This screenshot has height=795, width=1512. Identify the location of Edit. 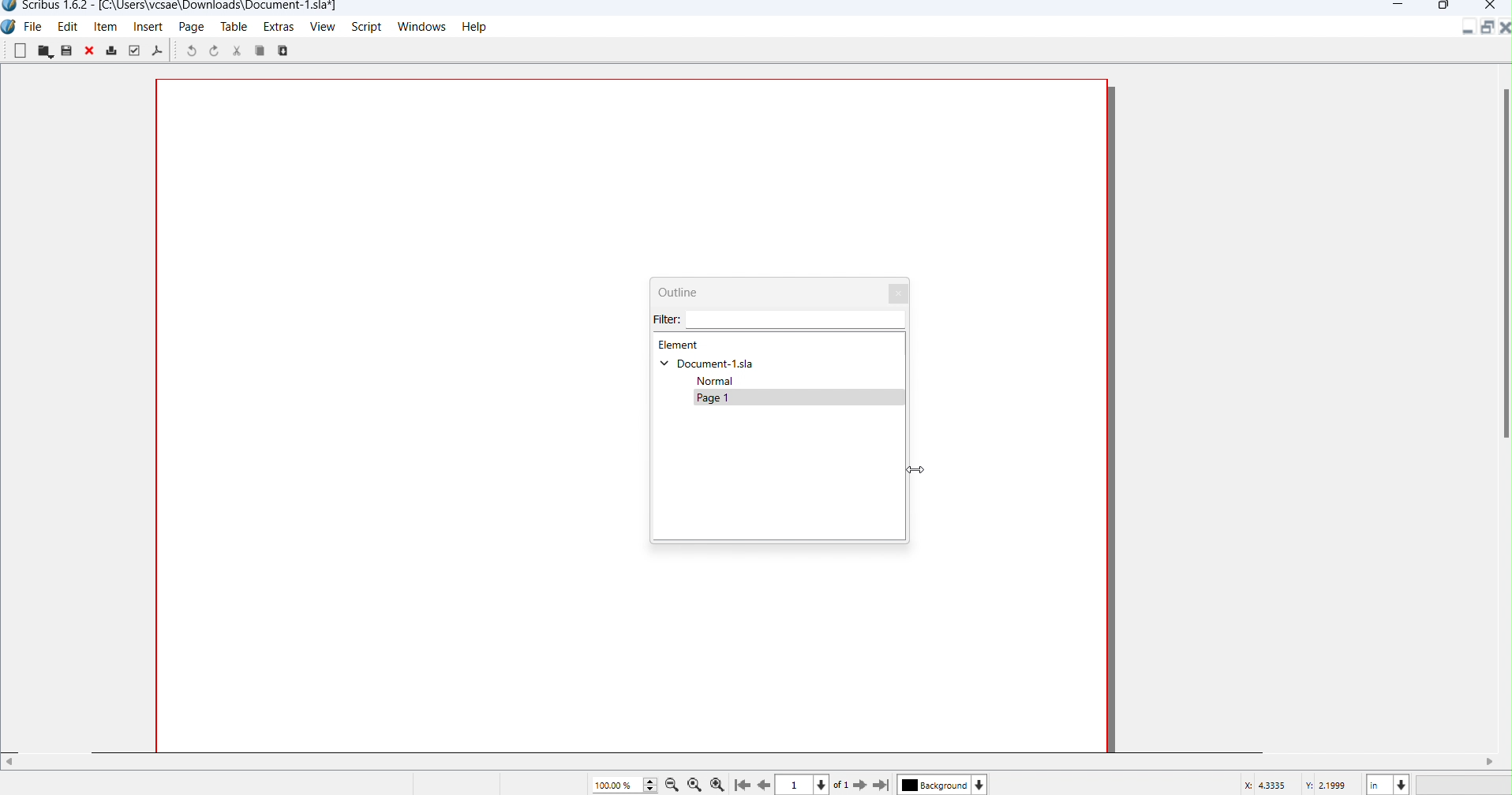
(67, 28).